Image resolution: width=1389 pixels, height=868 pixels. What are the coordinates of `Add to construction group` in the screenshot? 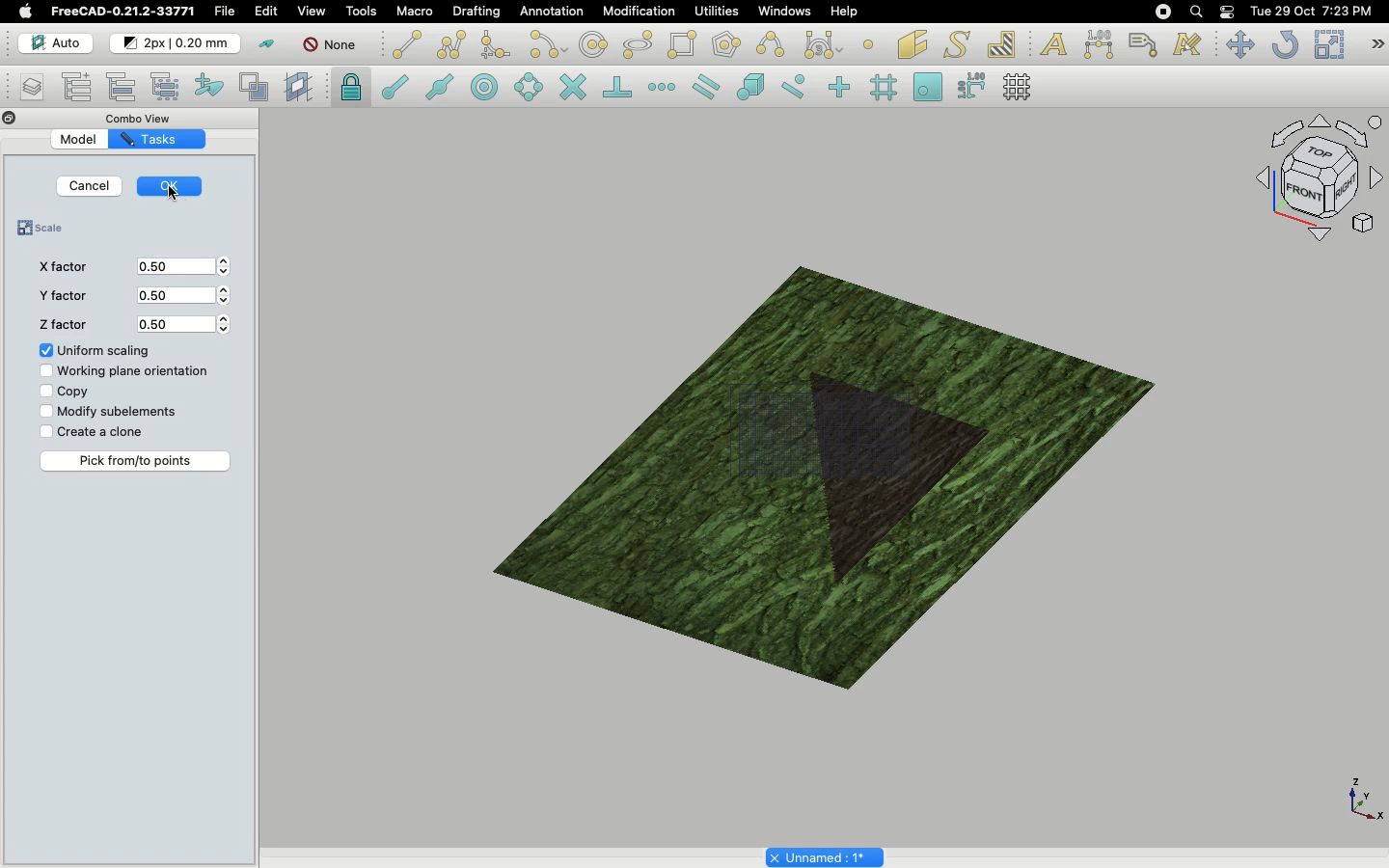 It's located at (210, 89).